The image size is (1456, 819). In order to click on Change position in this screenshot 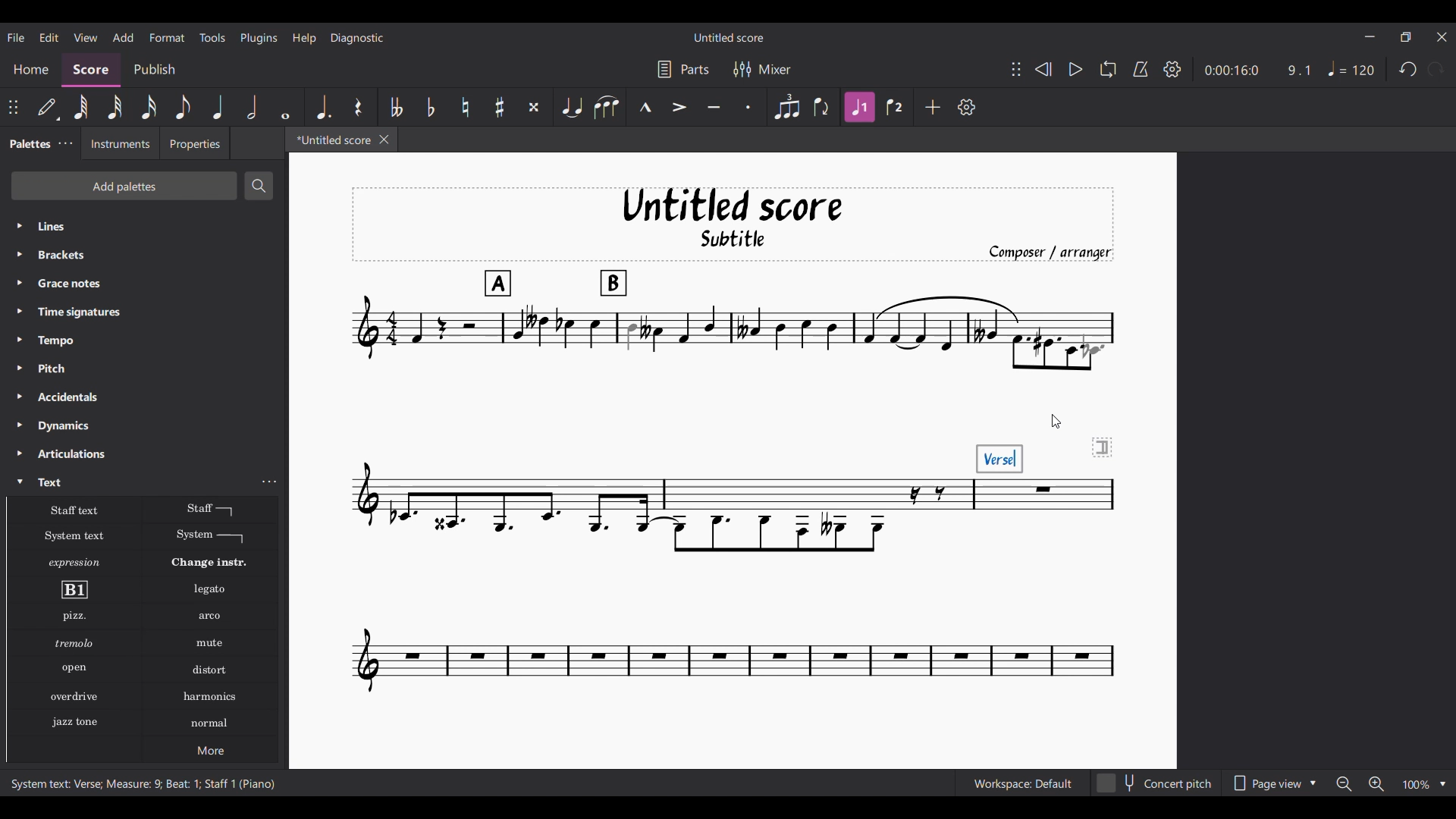, I will do `click(1016, 69)`.